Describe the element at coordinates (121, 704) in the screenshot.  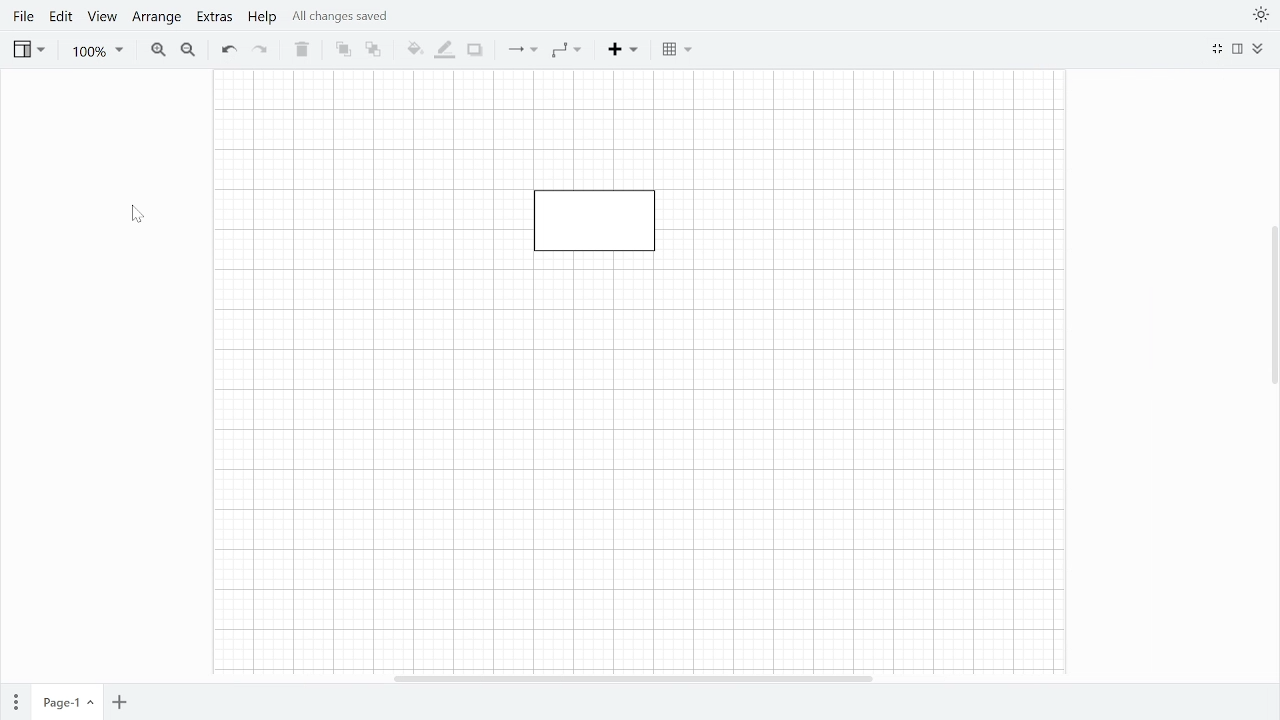
I see `Add page` at that location.